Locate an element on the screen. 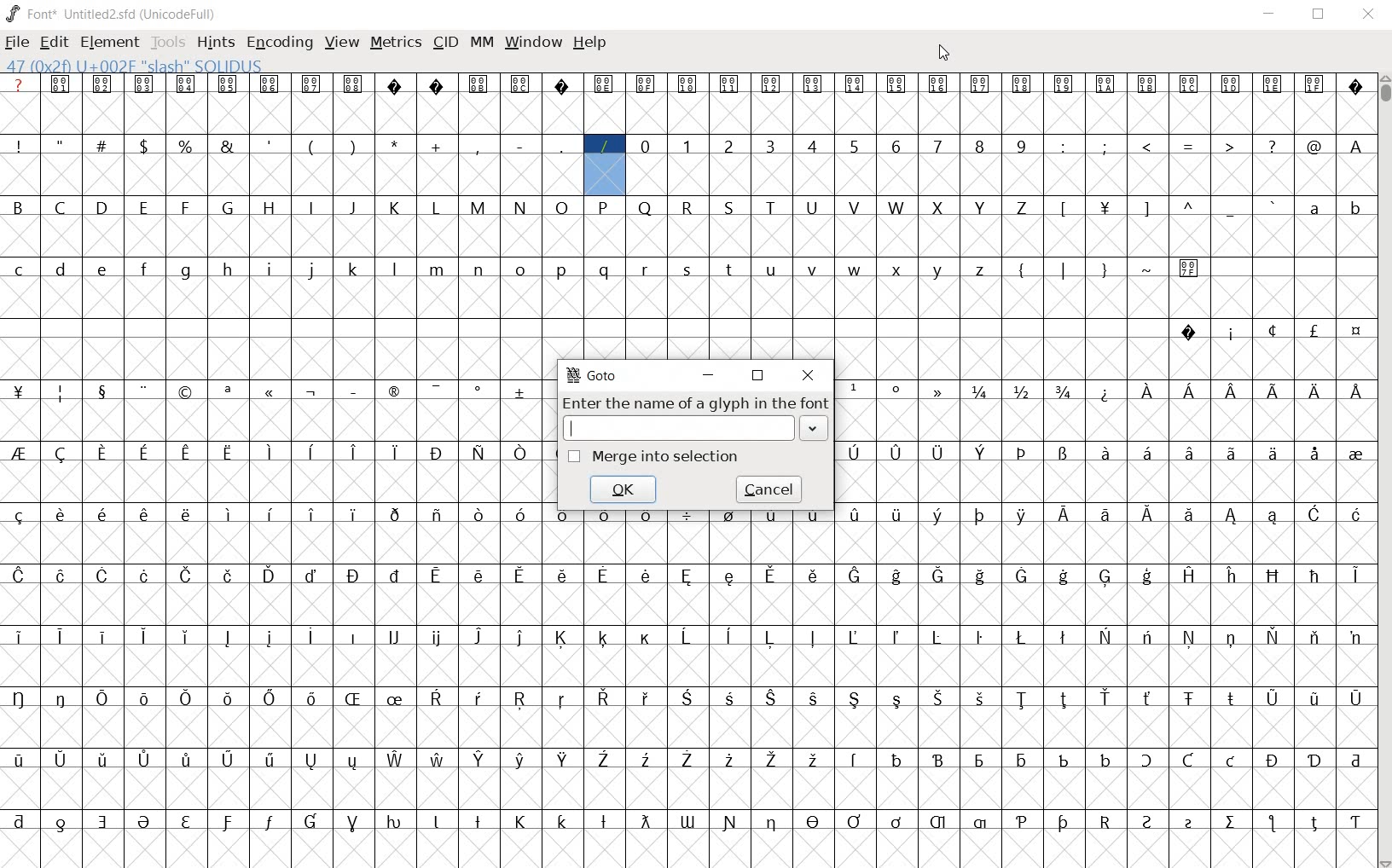 Image resolution: width=1392 pixels, height=868 pixels. glyph is located at coordinates (563, 515).